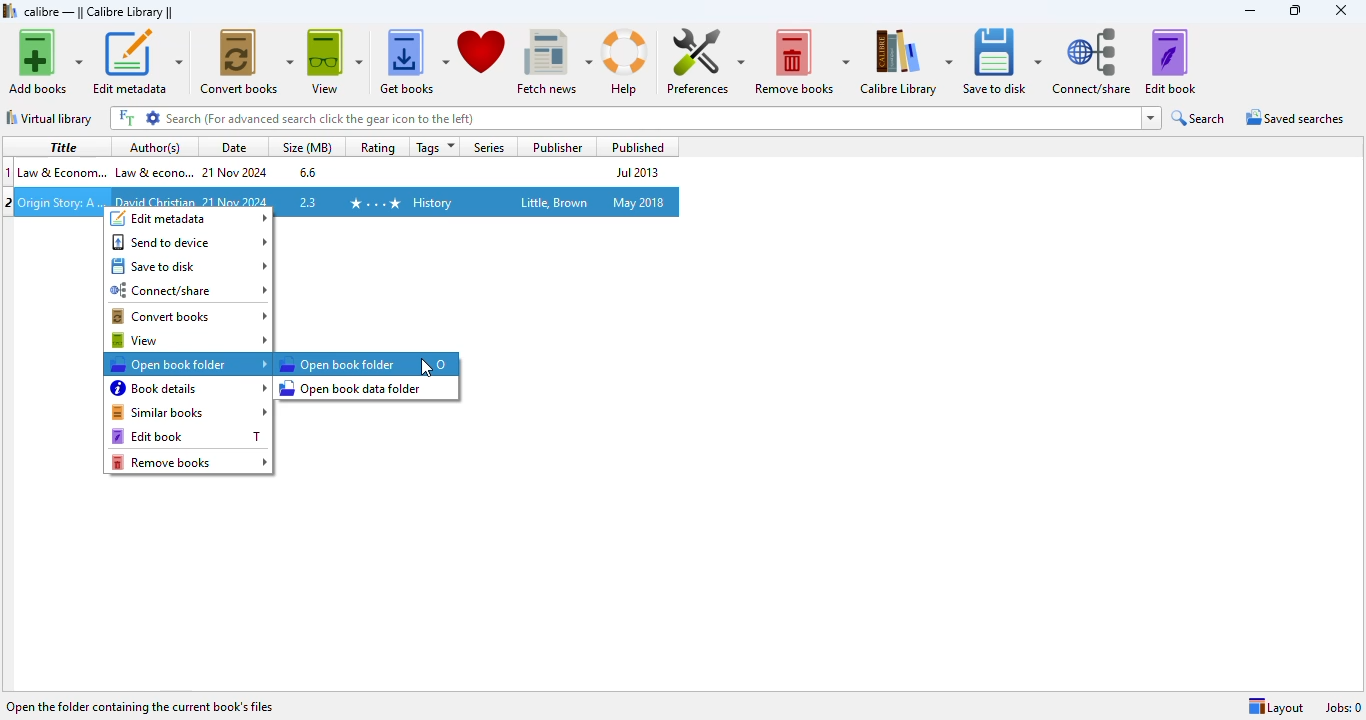  What do you see at coordinates (482, 50) in the screenshot?
I see `donate to support calibre` at bounding box center [482, 50].